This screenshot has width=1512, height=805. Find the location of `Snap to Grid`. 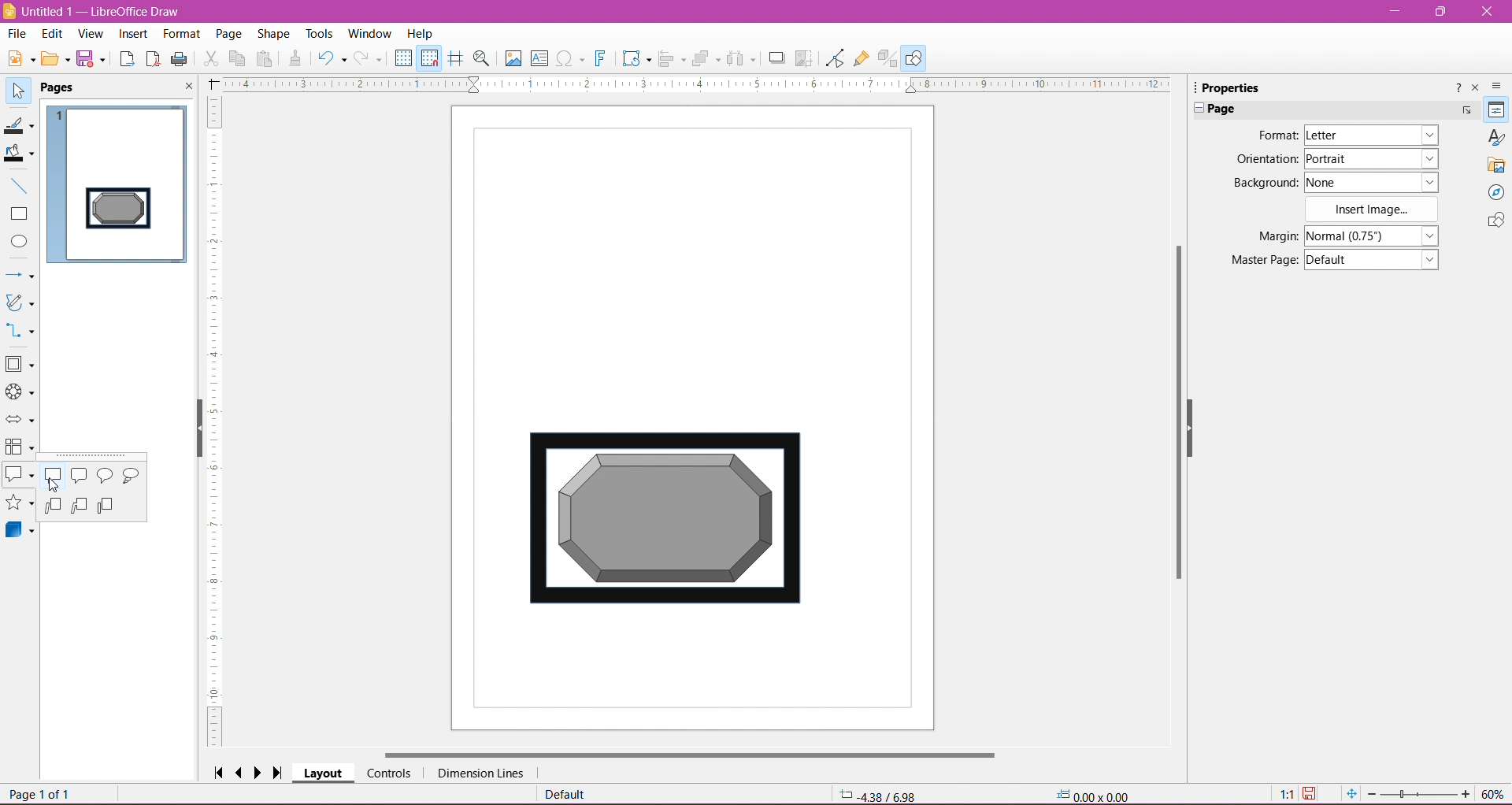

Snap to Grid is located at coordinates (430, 59).